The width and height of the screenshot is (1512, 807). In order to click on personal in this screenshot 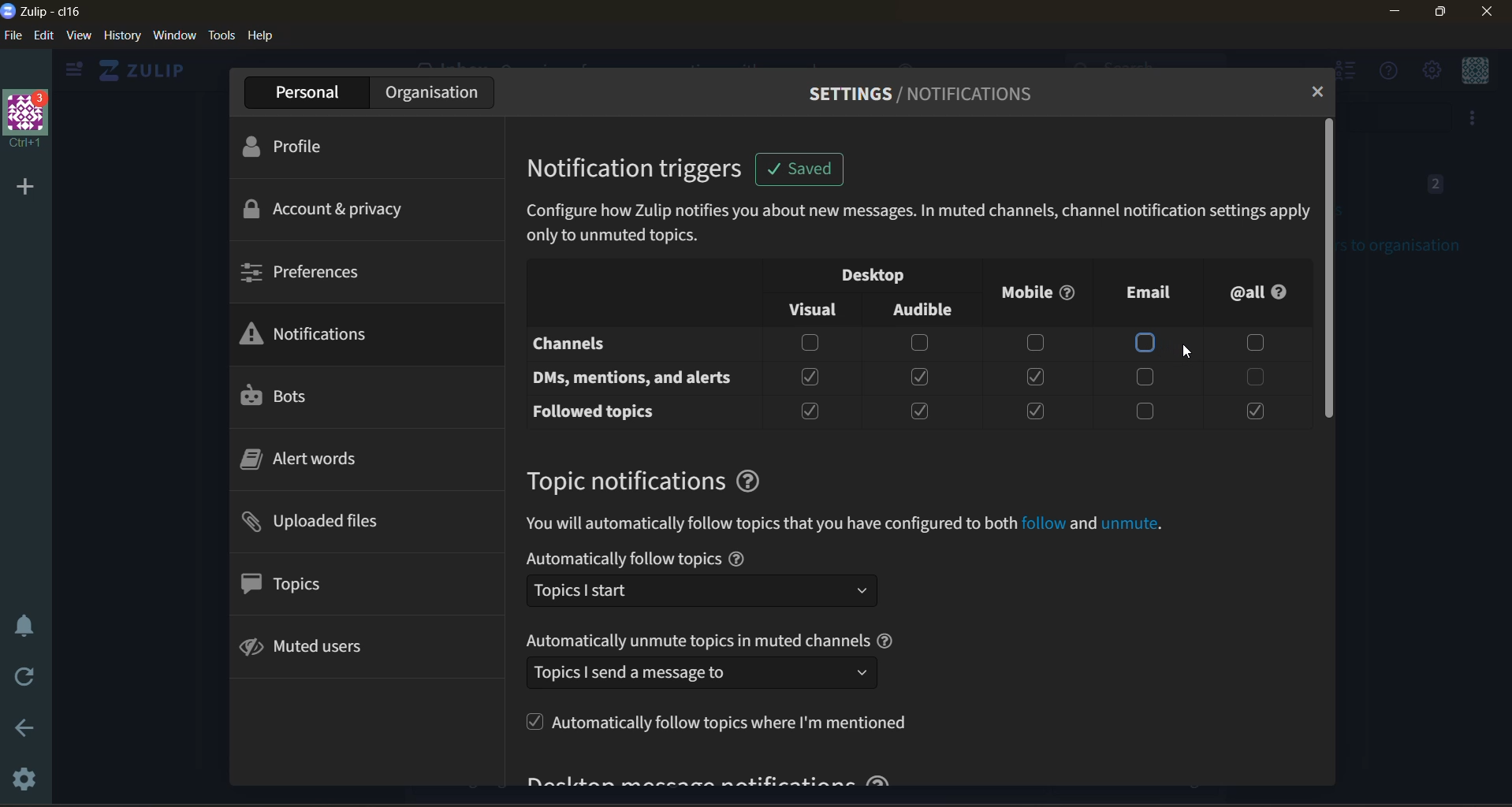, I will do `click(308, 93)`.